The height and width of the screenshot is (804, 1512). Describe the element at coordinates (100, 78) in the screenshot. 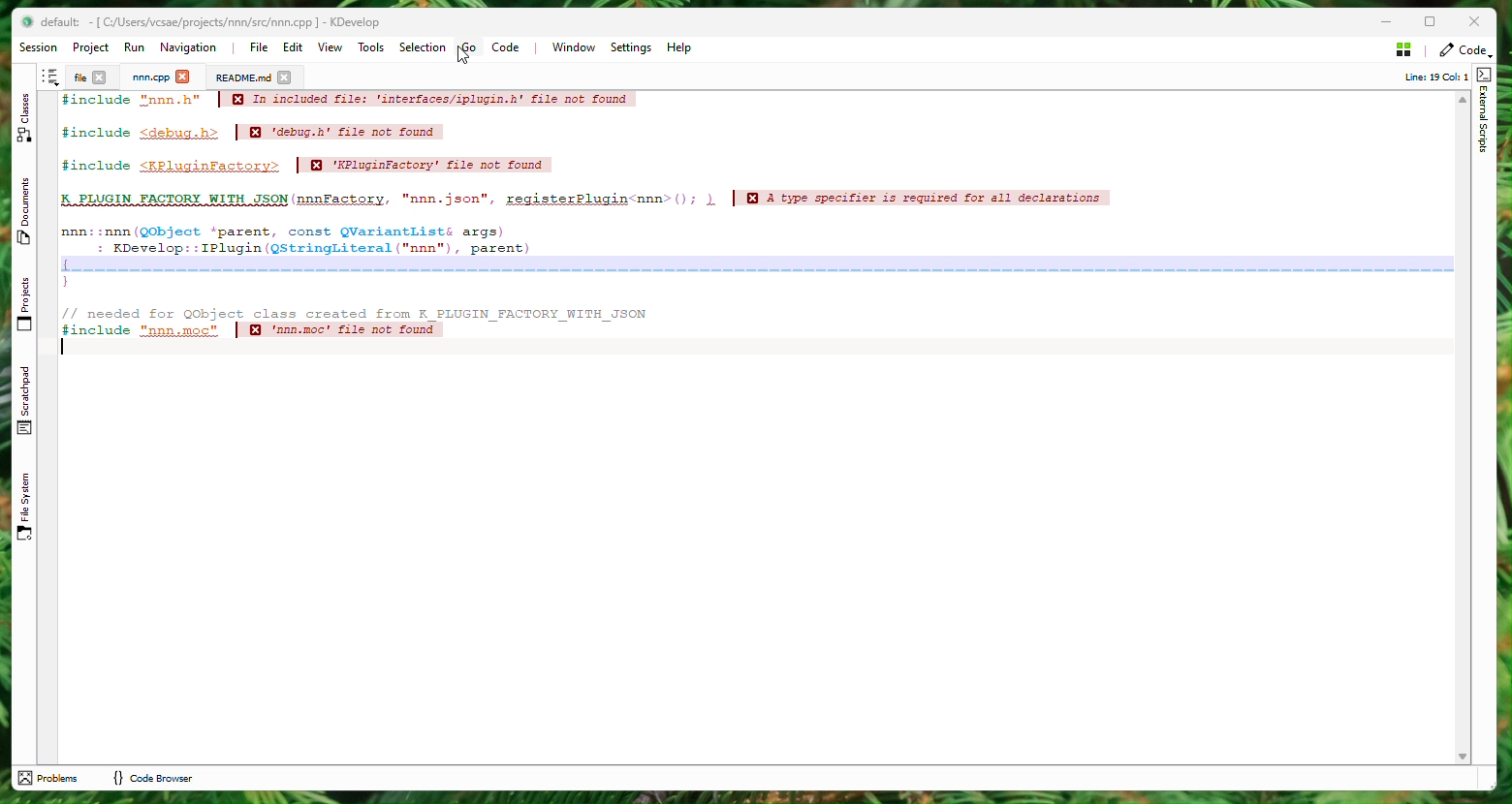

I see `close tab` at that location.